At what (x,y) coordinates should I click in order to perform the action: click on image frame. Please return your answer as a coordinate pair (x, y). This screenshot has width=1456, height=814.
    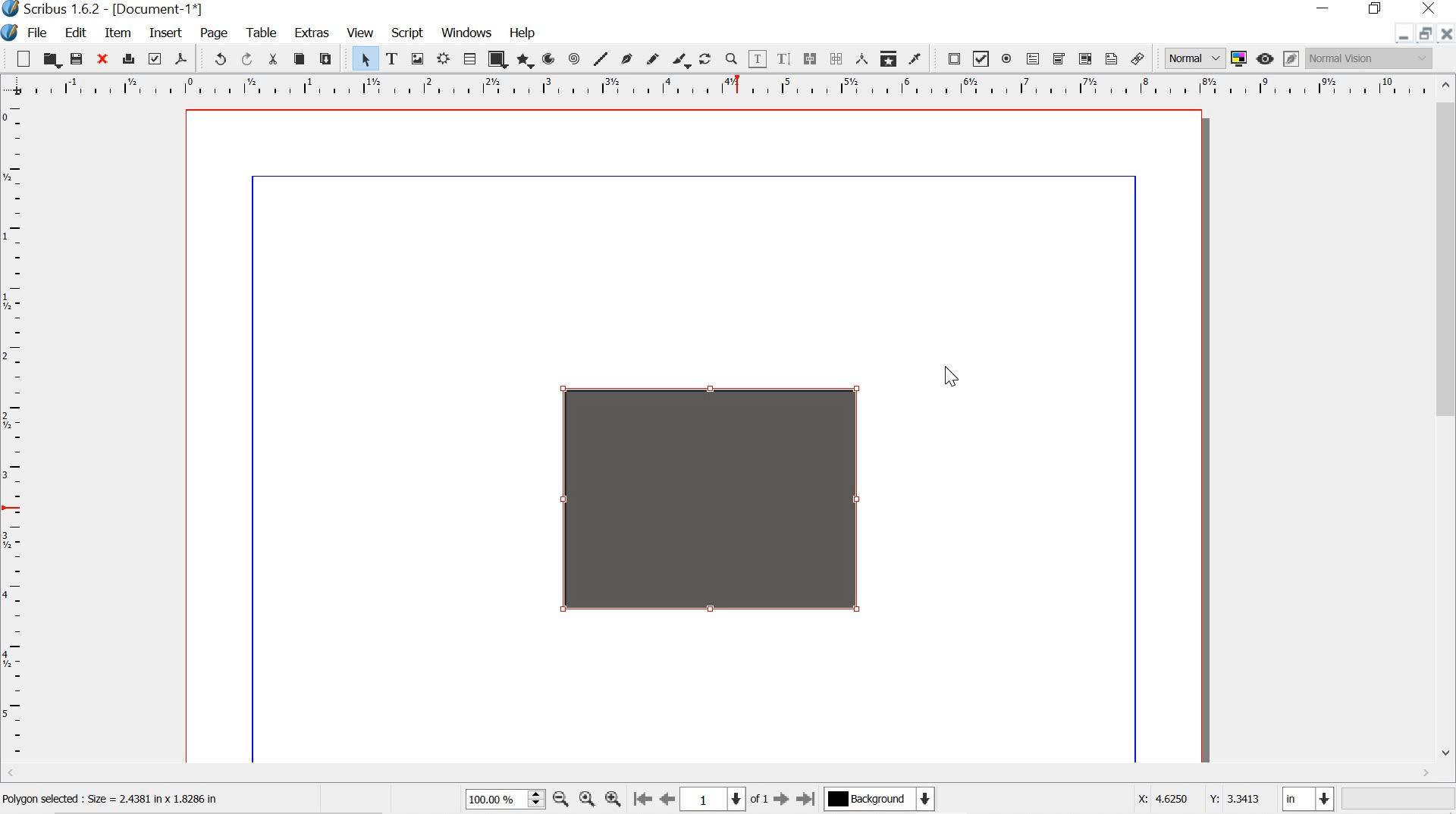
    Looking at the image, I should click on (418, 59).